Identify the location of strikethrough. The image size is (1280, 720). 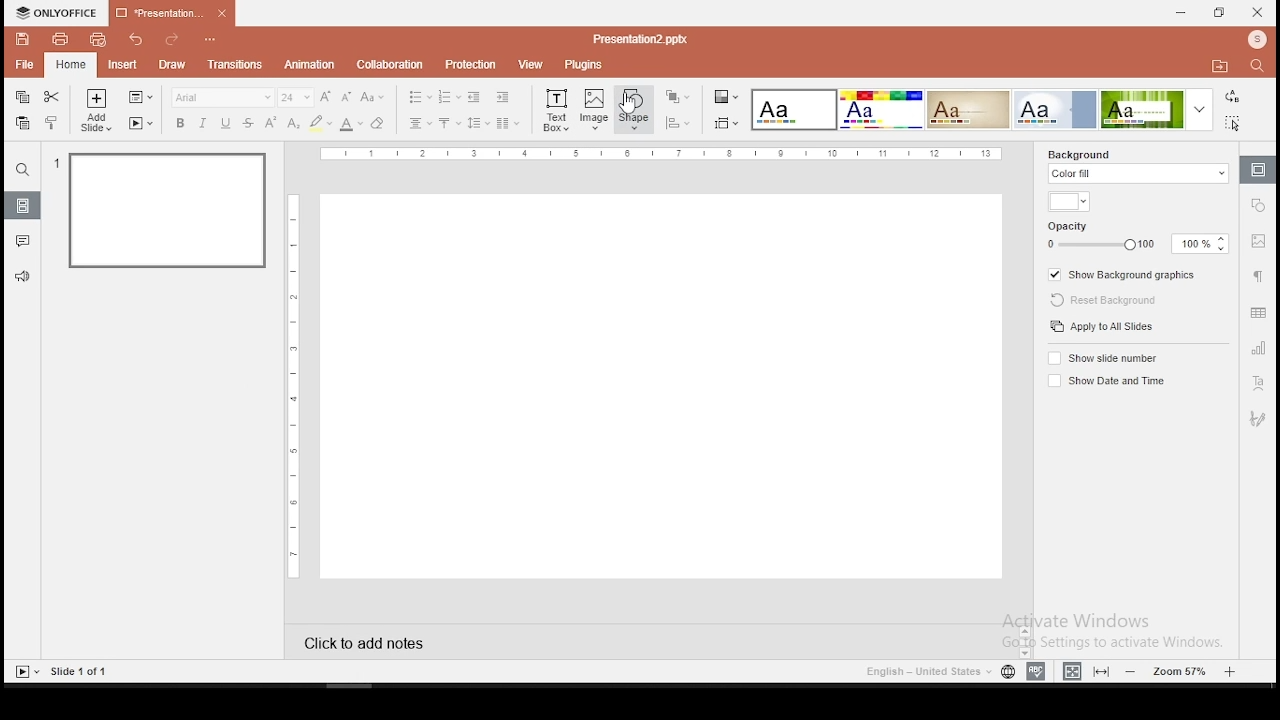
(248, 123).